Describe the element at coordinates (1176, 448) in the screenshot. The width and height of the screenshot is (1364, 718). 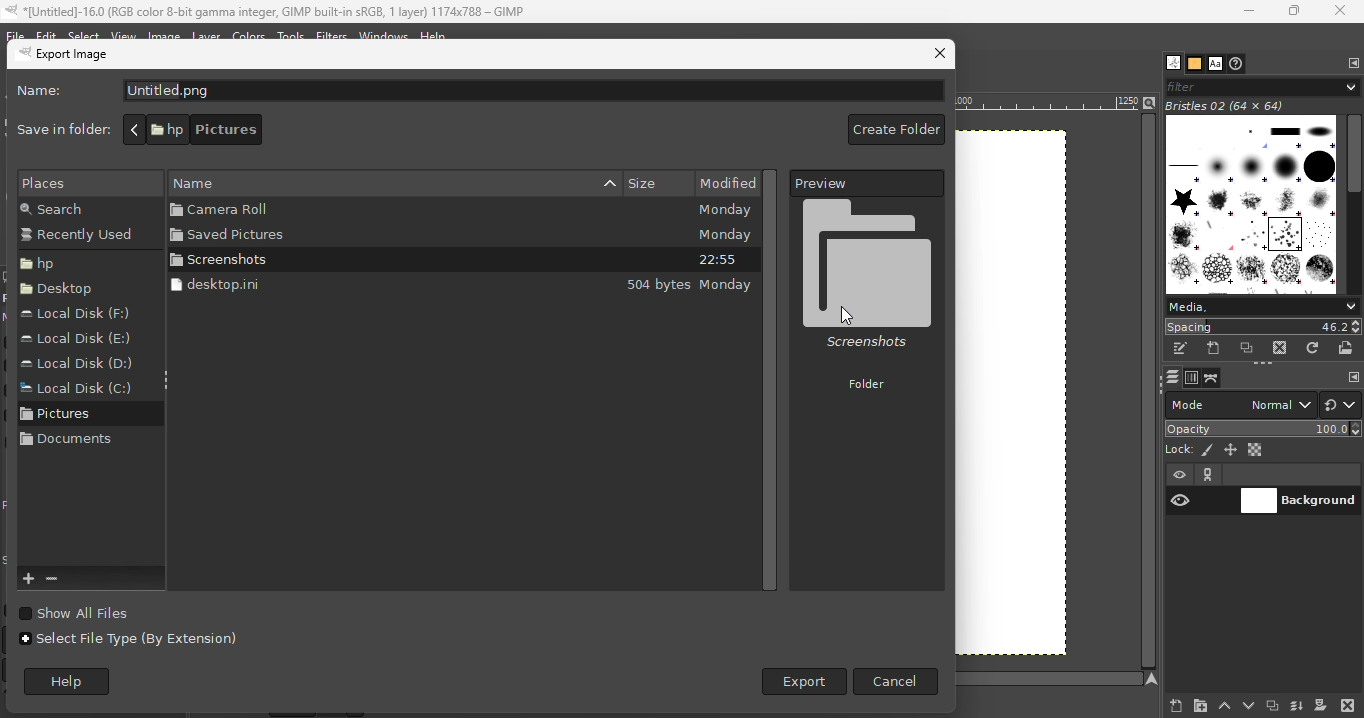
I see `Lock:` at that location.